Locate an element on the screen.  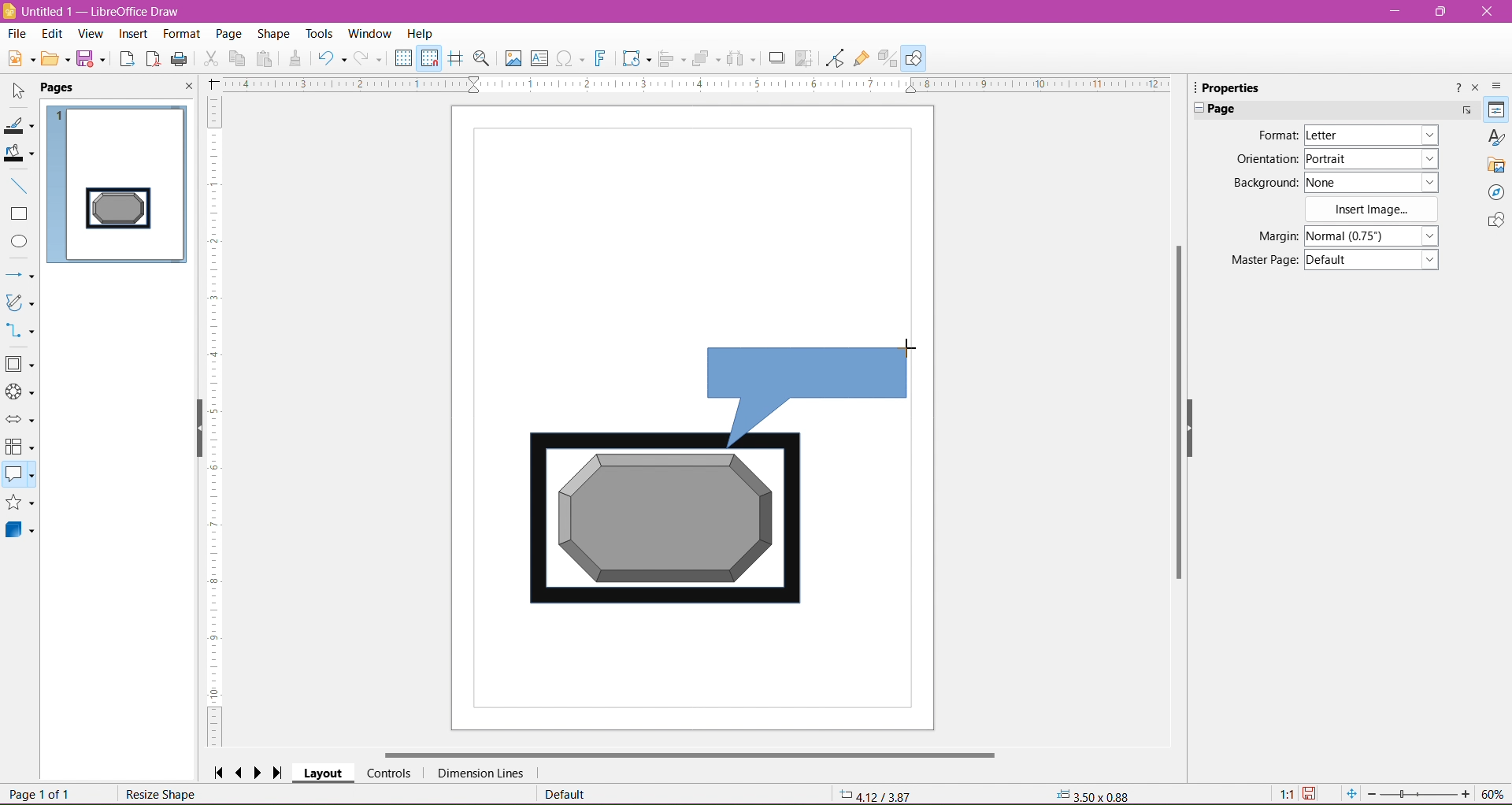
Page is located at coordinates (1228, 109).